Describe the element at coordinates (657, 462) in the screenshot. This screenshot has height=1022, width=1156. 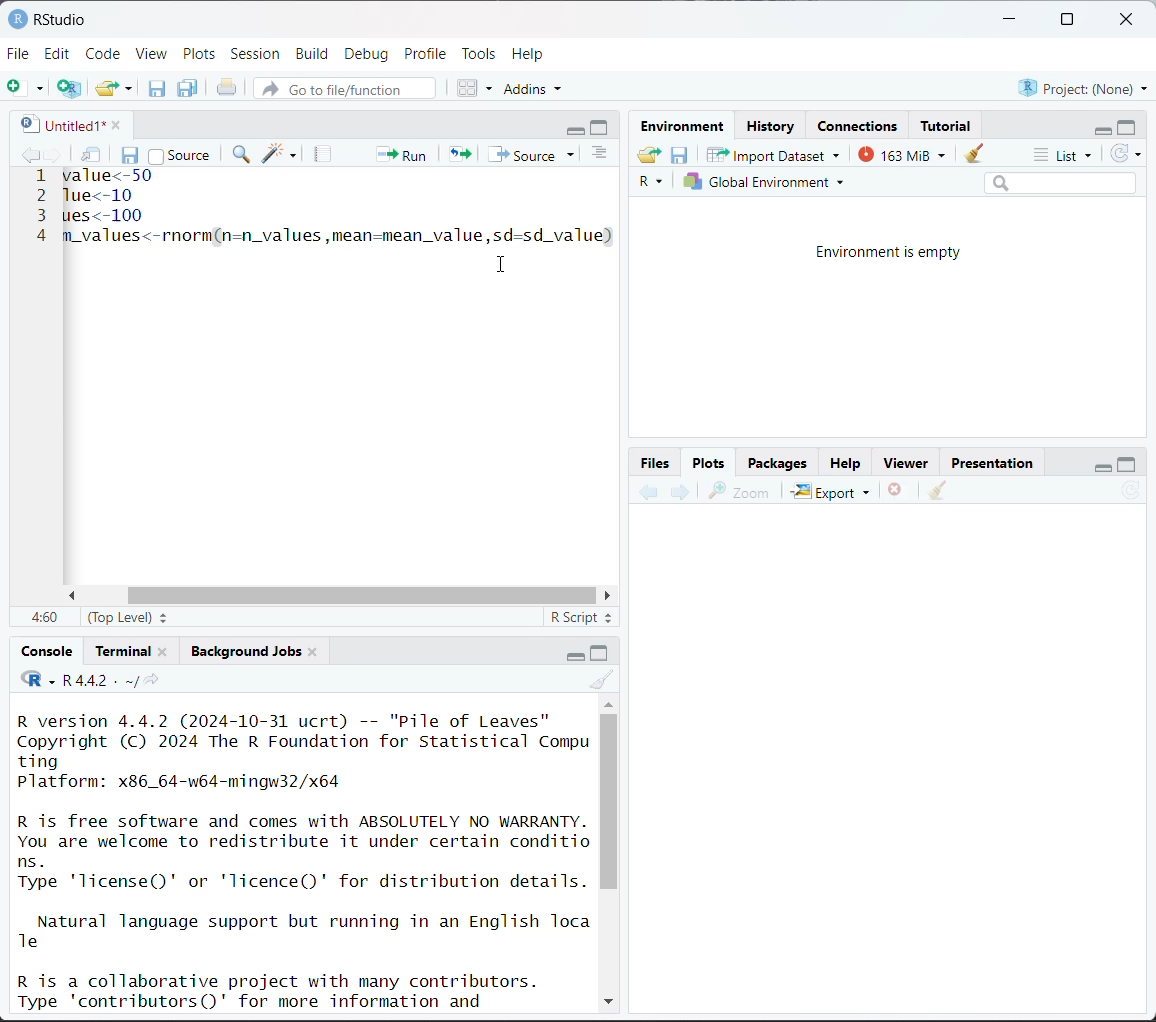
I see `` at that location.